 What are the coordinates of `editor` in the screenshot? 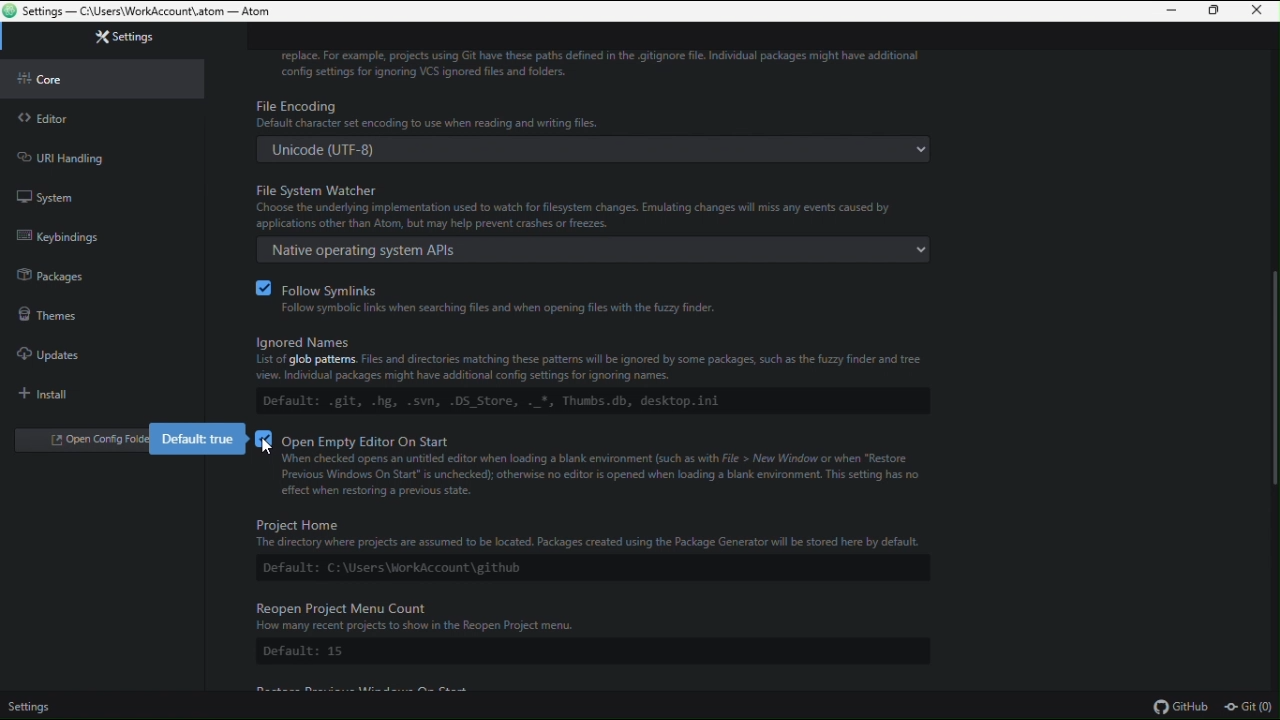 It's located at (76, 122).